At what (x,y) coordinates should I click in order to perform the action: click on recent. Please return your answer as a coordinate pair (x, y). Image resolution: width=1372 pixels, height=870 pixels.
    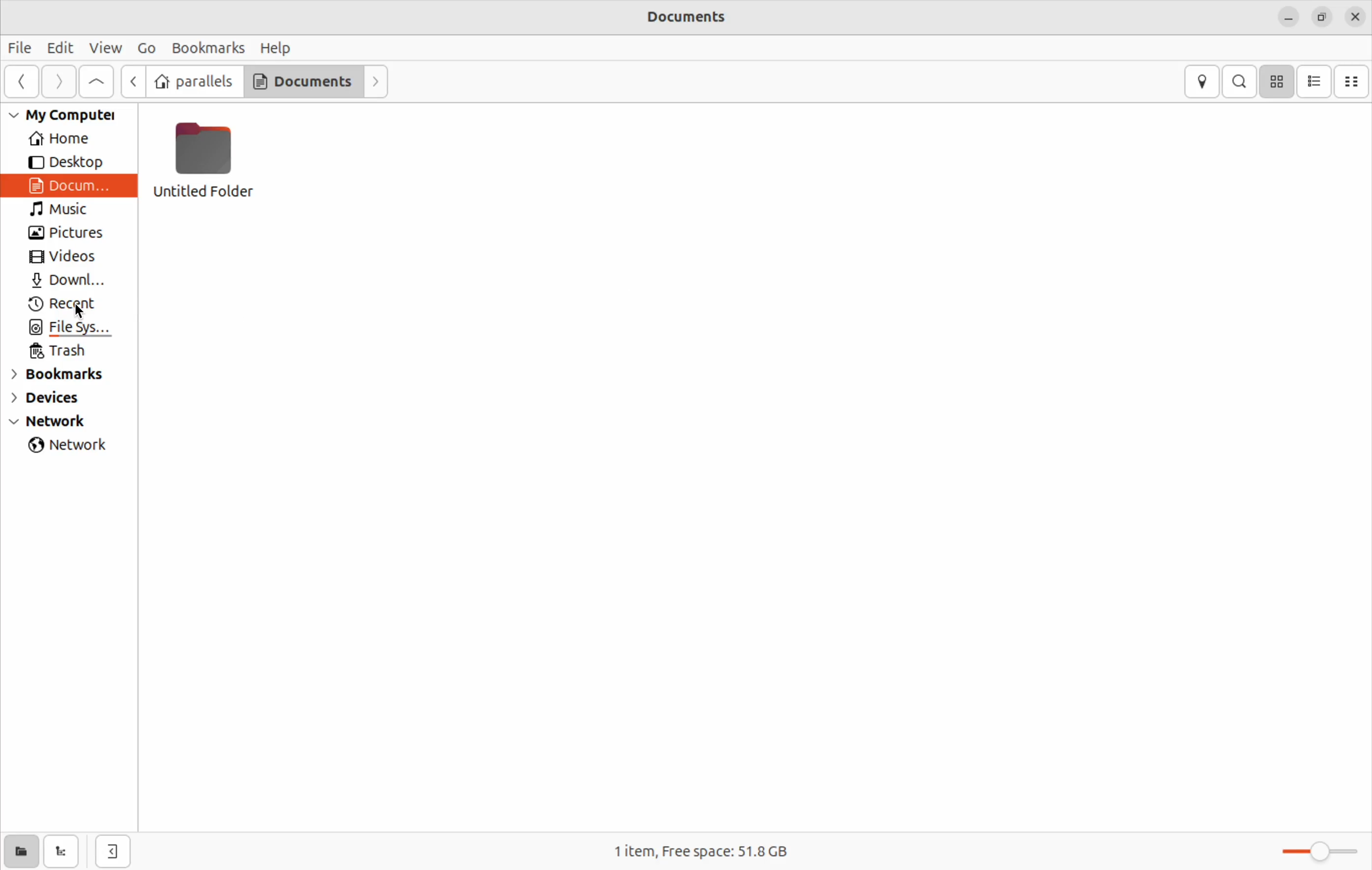
    Looking at the image, I should click on (72, 304).